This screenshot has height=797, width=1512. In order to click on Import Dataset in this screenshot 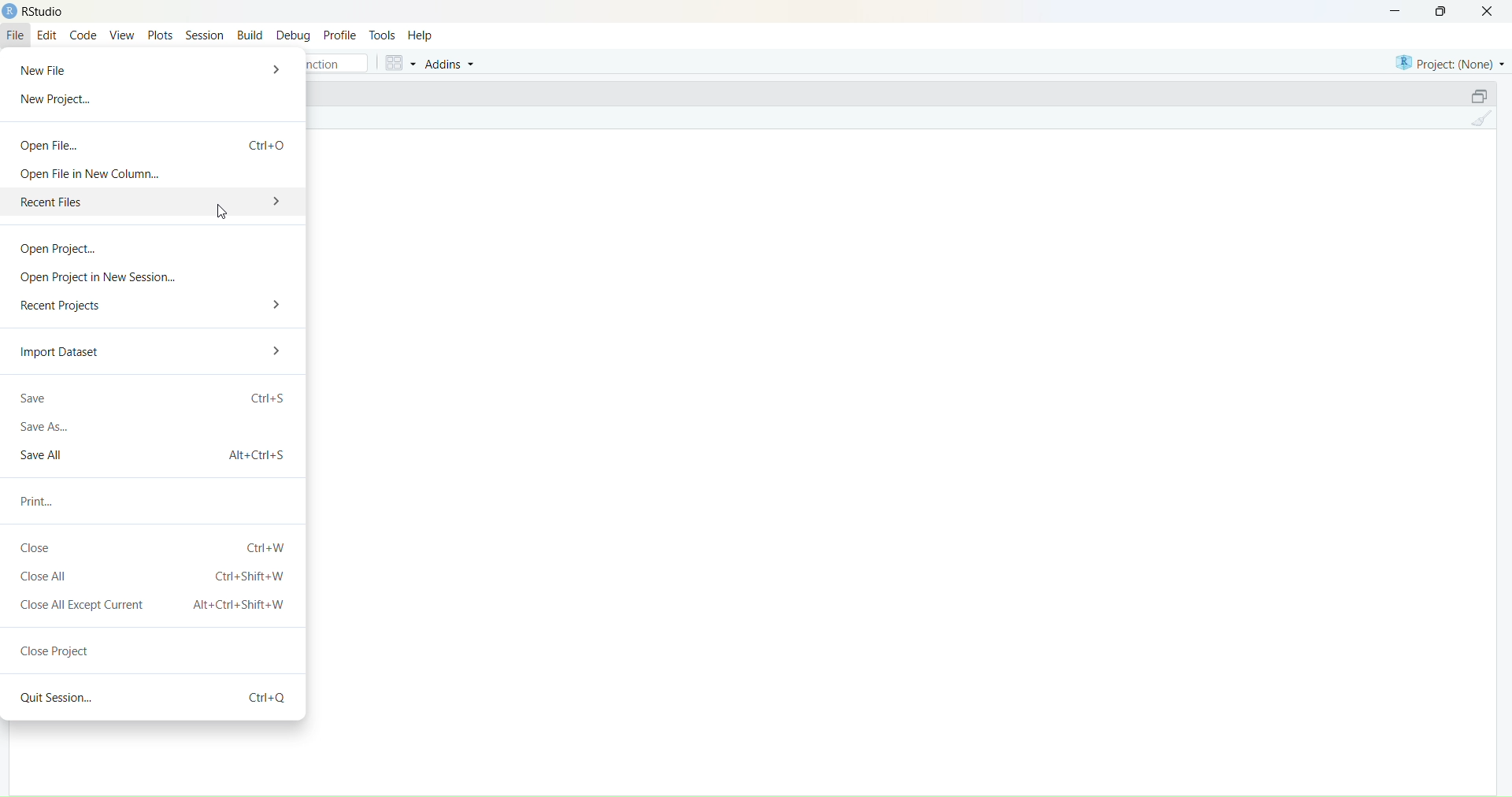, I will do `click(59, 351)`.